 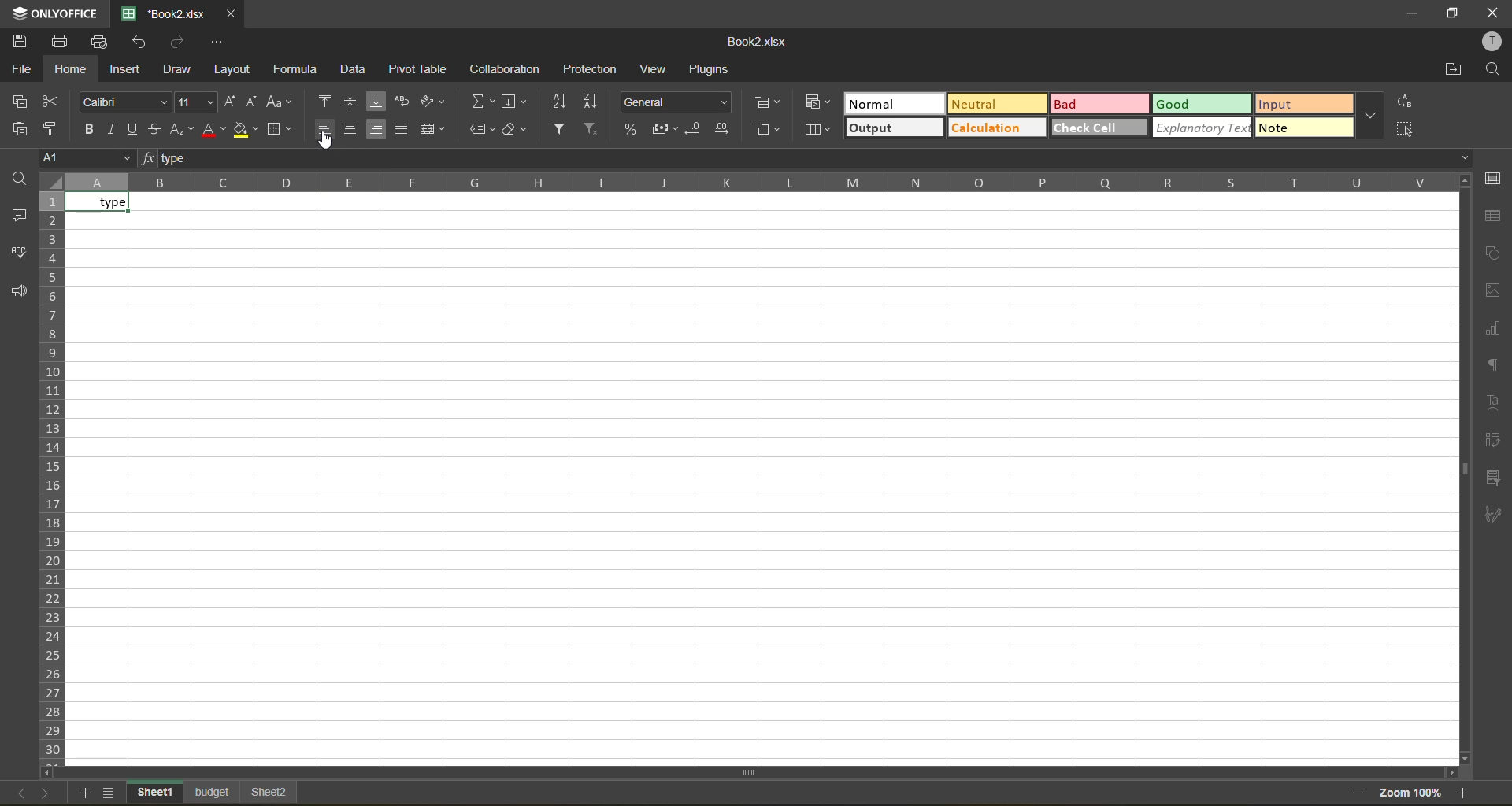 I want to click on print, so click(x=59, y=43).